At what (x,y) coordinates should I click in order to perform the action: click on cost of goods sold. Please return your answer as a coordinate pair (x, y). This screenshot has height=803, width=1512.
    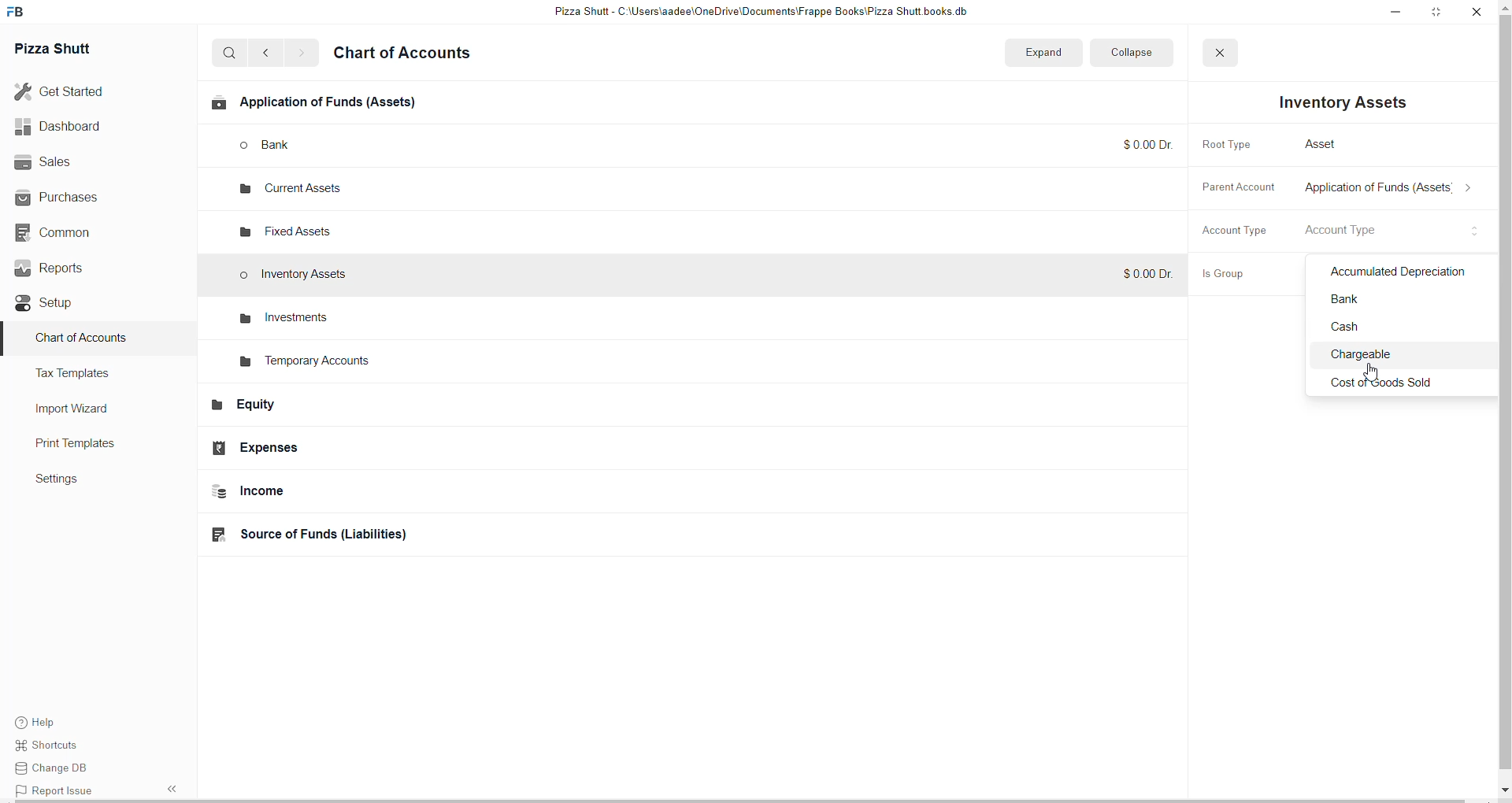
    Looking at the image, I should click on (1395, 384).